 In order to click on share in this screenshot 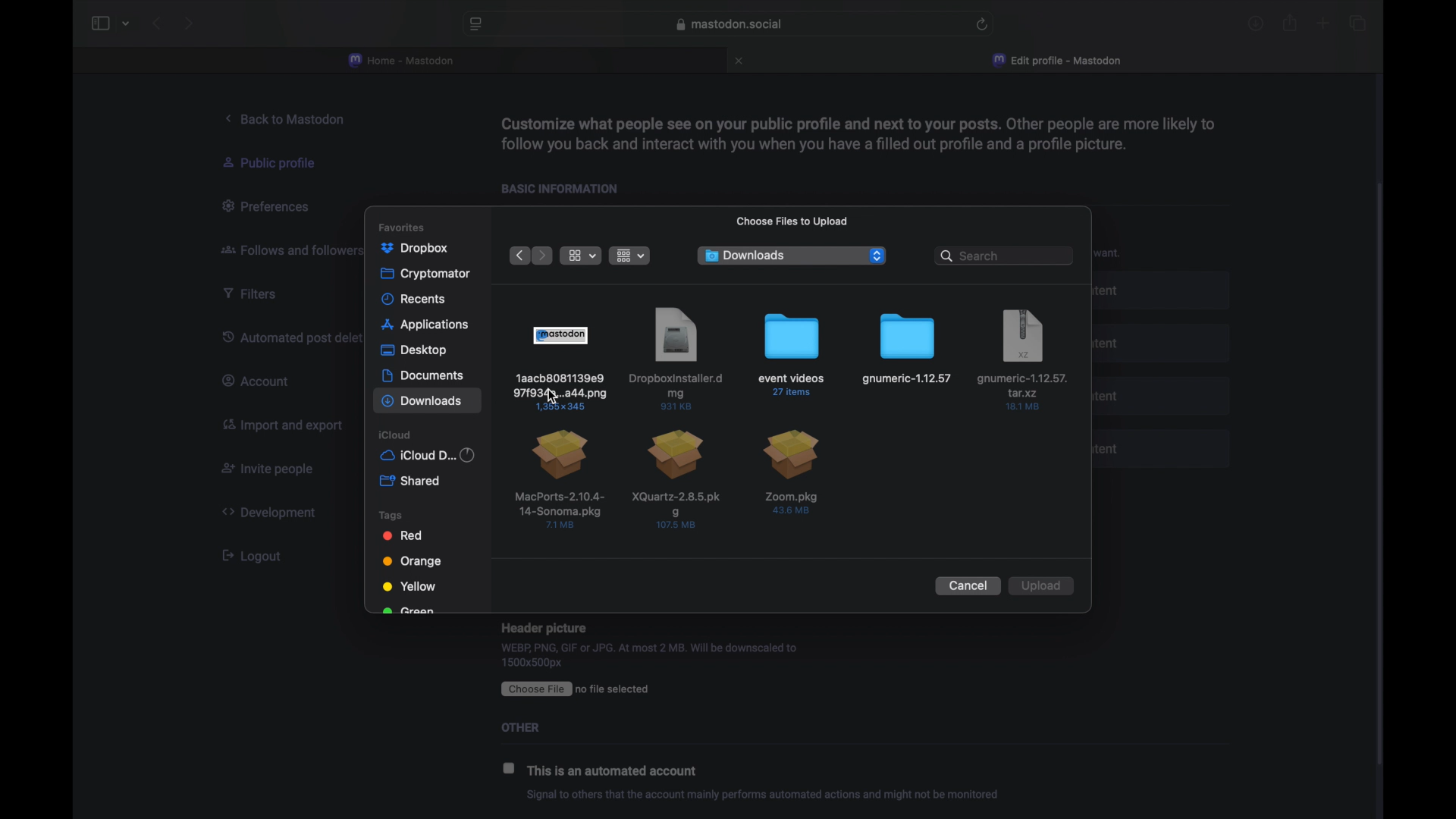, I will do `click(1291, 23)`.